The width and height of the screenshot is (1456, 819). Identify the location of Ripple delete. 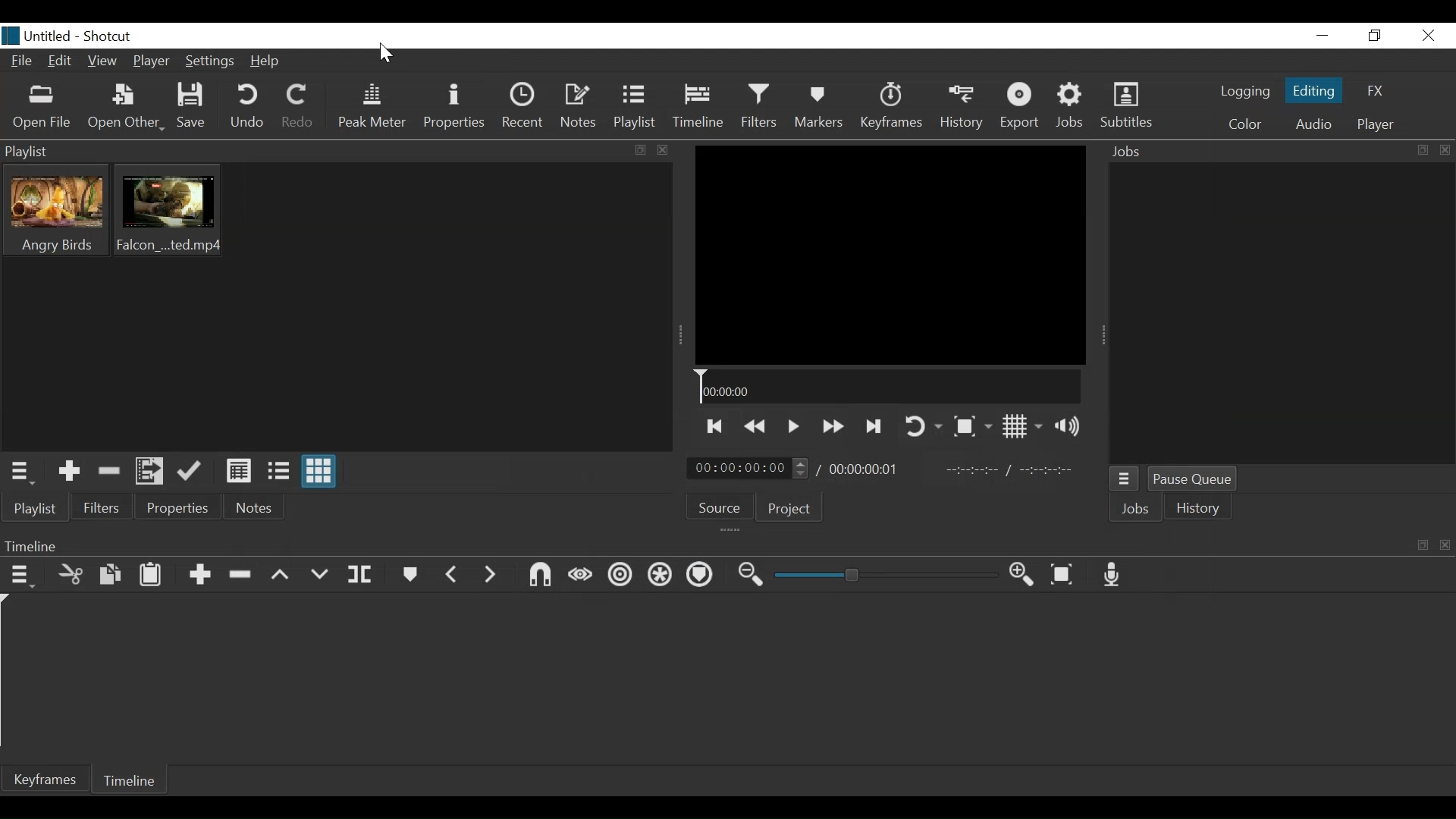
(243, 575).